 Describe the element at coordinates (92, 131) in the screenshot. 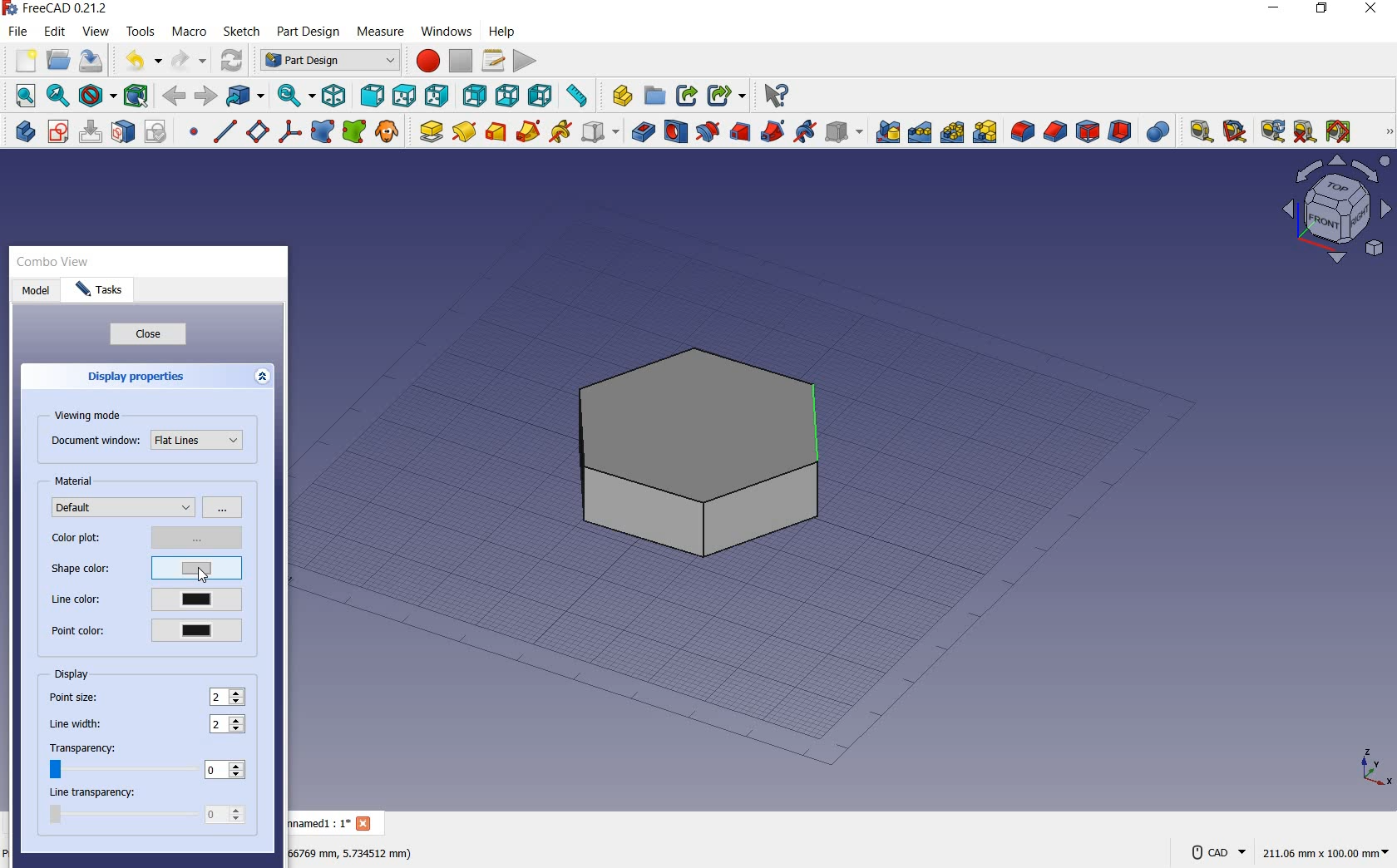

I see `edit sketch` at that location.